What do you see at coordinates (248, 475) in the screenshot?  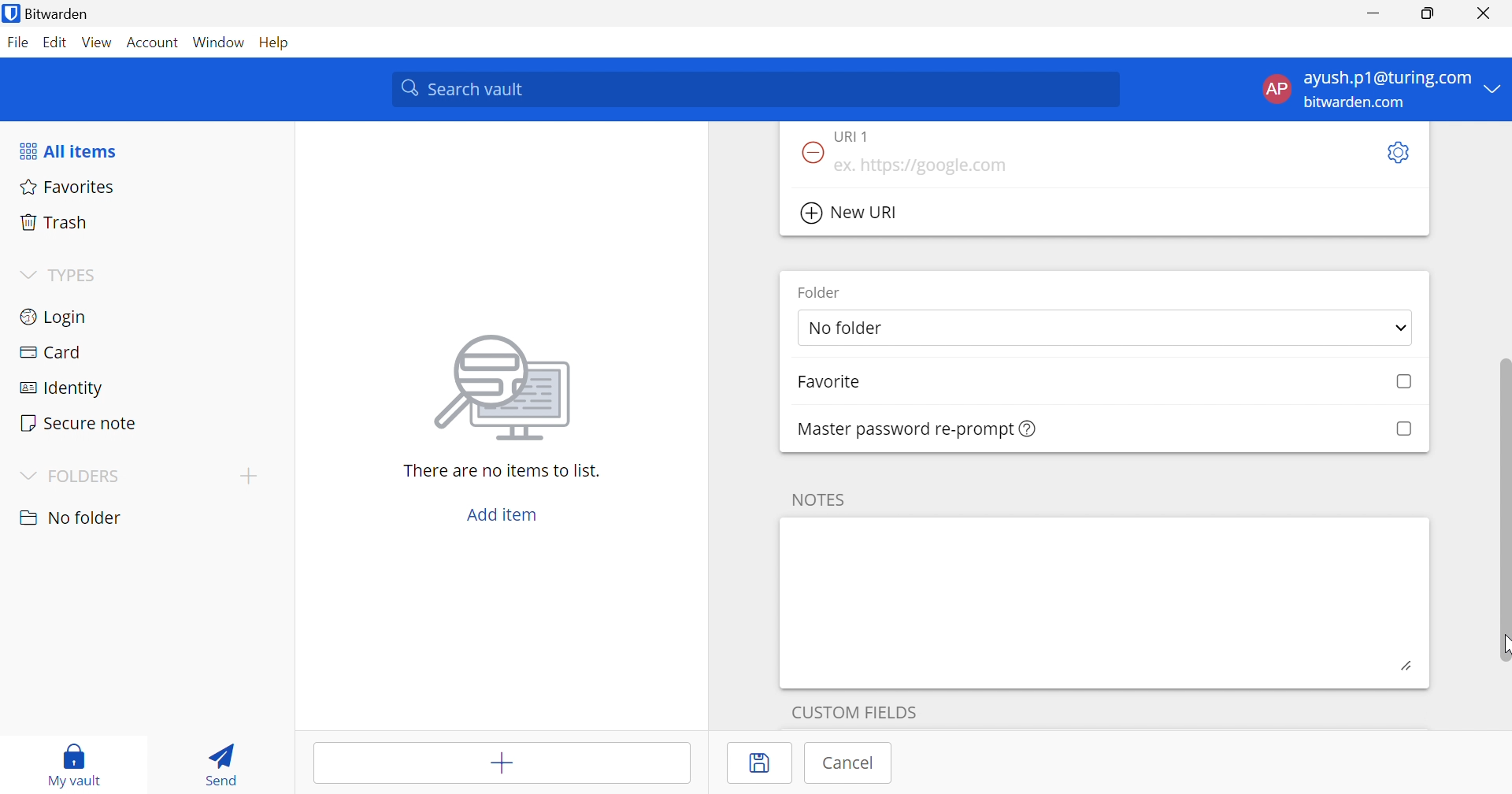 I see `Drop Down` at bounding box center [248, 475].